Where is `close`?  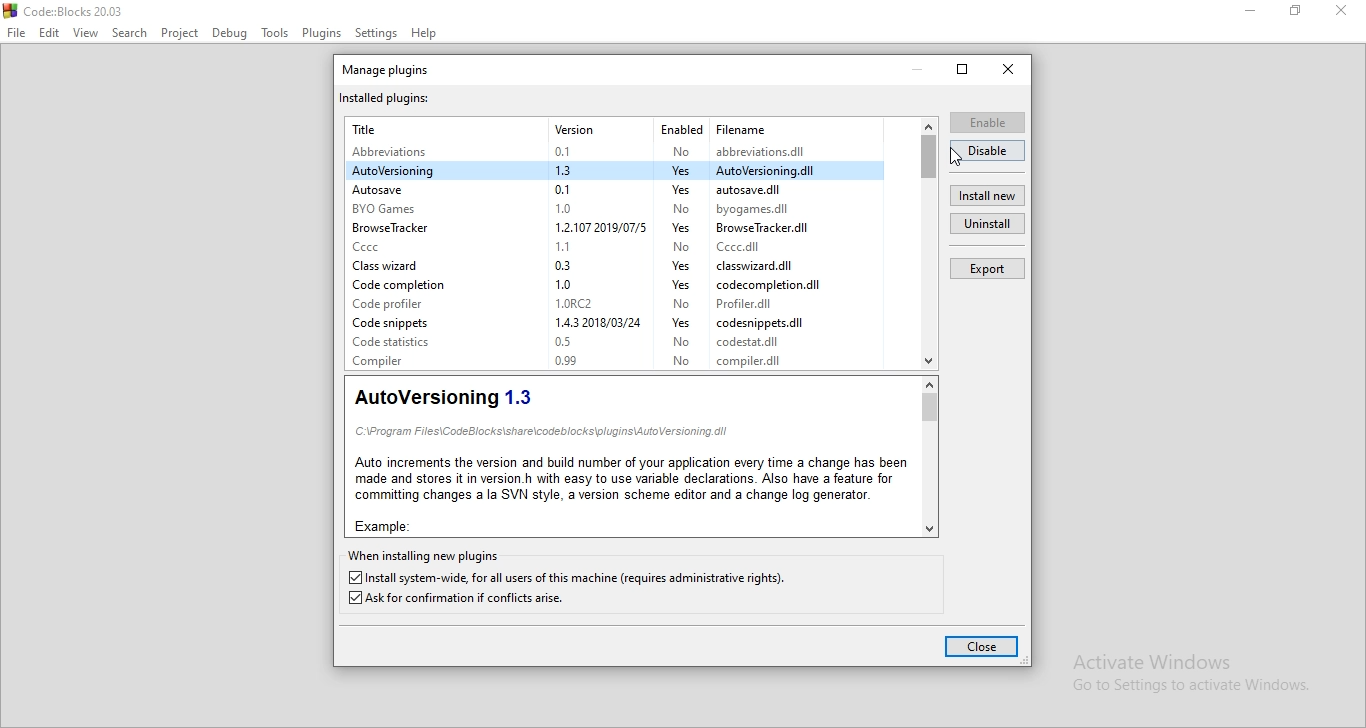
close is located at coordinates (1008, 69).